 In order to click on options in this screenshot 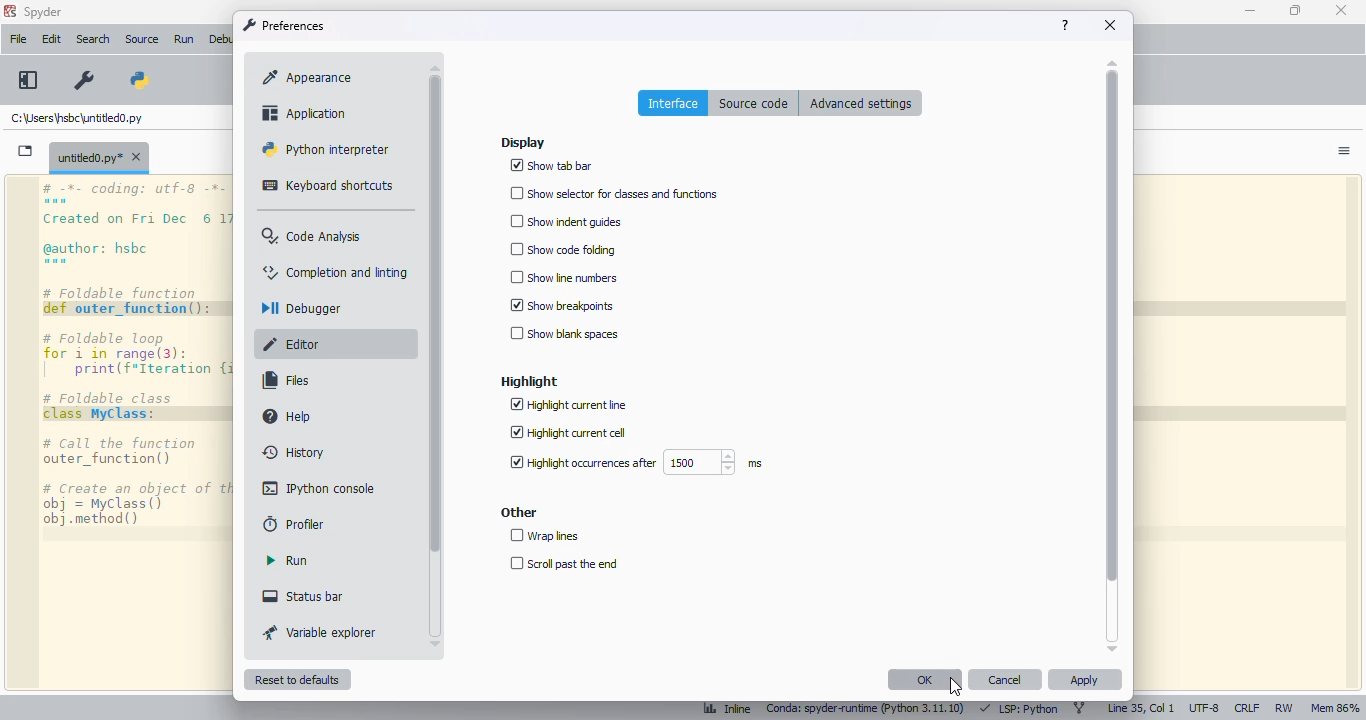, I will do `click(1345, 151)`.